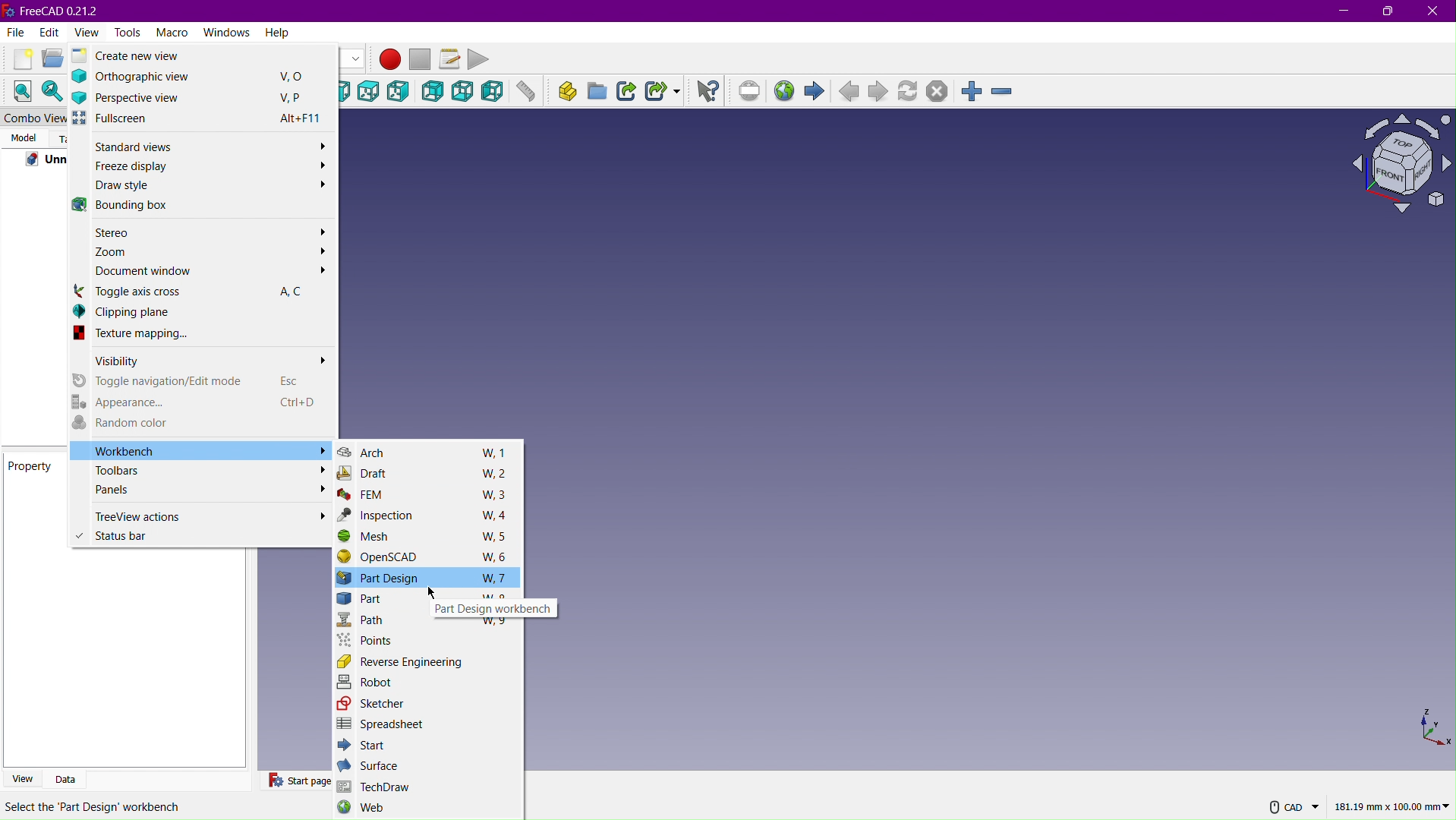 The image size is (1456, 820). Describe the element at coordinates (24, 59) in the screenshot. I see `New` at that location.